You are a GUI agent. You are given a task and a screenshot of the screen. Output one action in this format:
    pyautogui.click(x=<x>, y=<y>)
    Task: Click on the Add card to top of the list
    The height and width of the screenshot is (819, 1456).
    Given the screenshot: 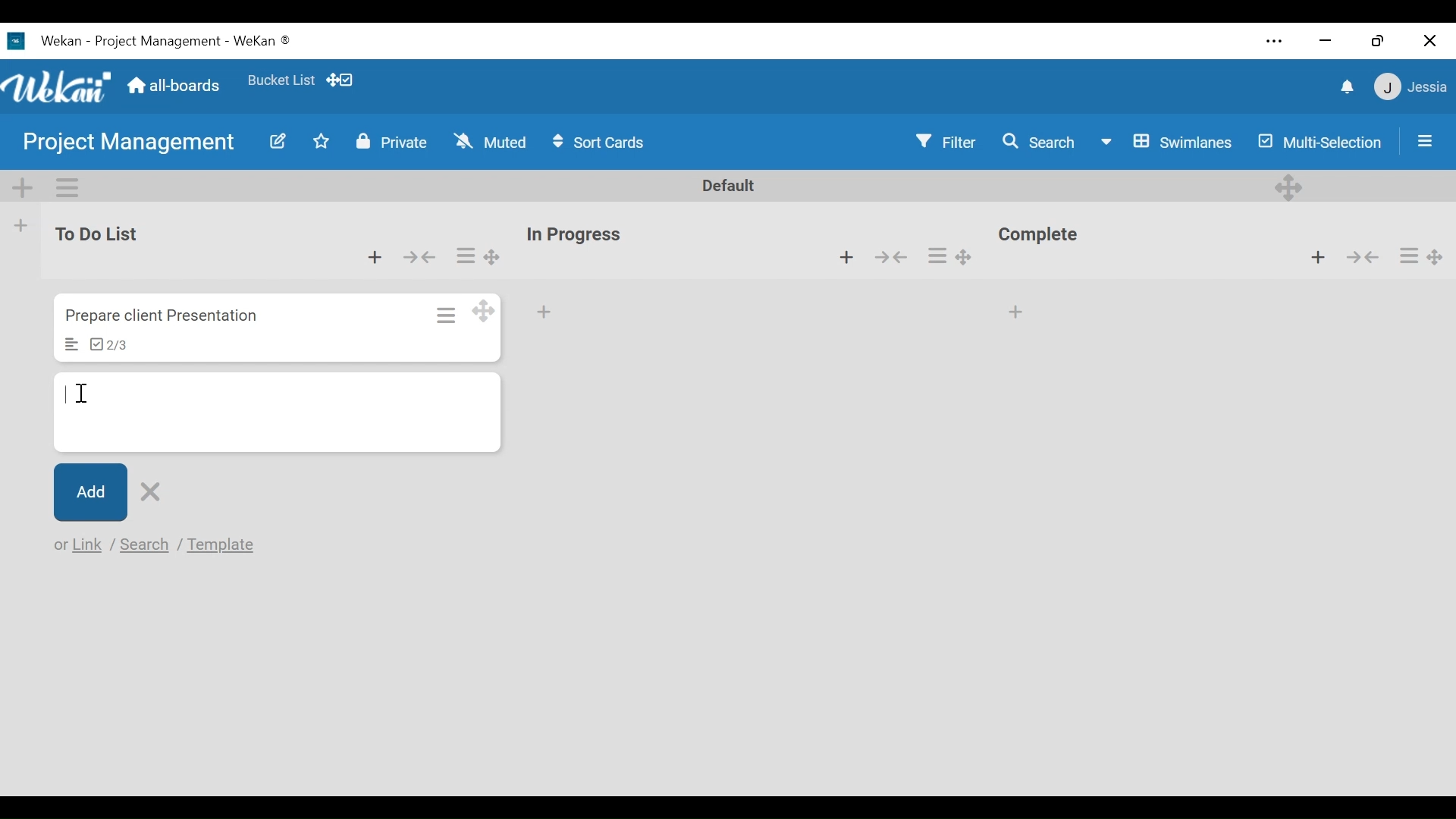 What is the action you would take?
    pyautogui.click(x=1321, y=258)
    